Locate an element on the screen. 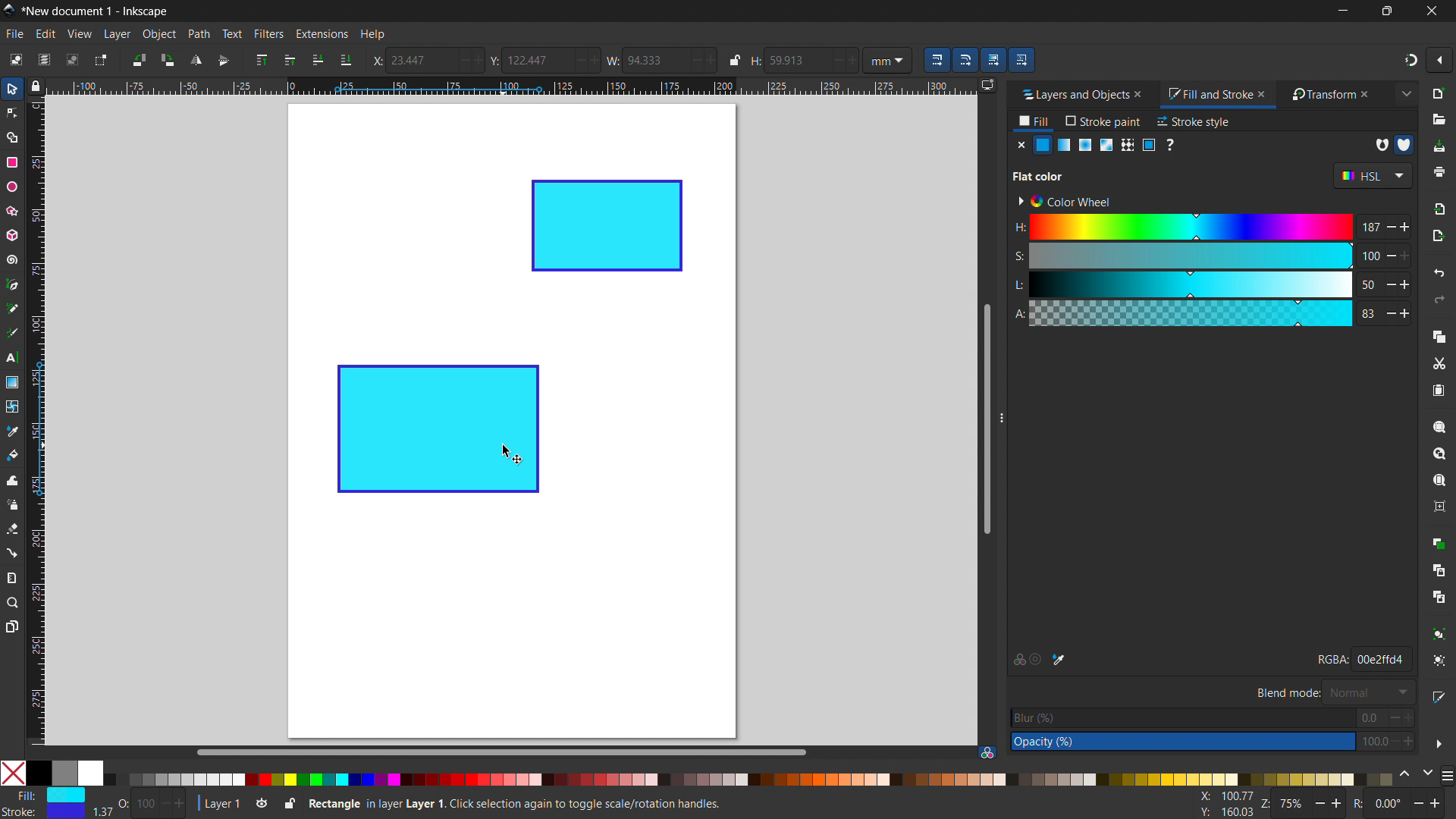 This screenshot has width=1456, height=819. pages tool is located at coordinates (13, 626).